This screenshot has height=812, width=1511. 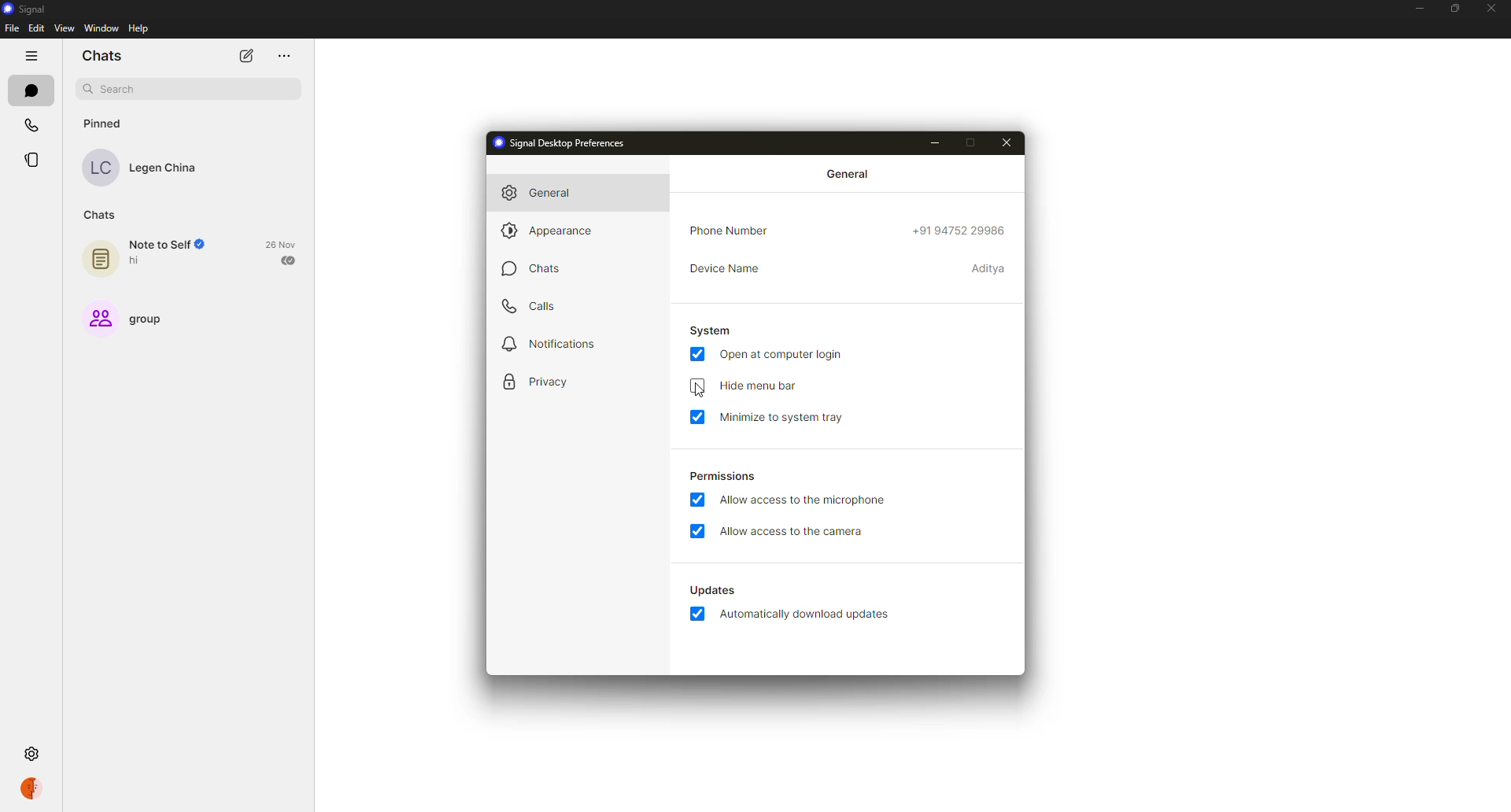 I want to click on pinned, so click(x=99, y=123).